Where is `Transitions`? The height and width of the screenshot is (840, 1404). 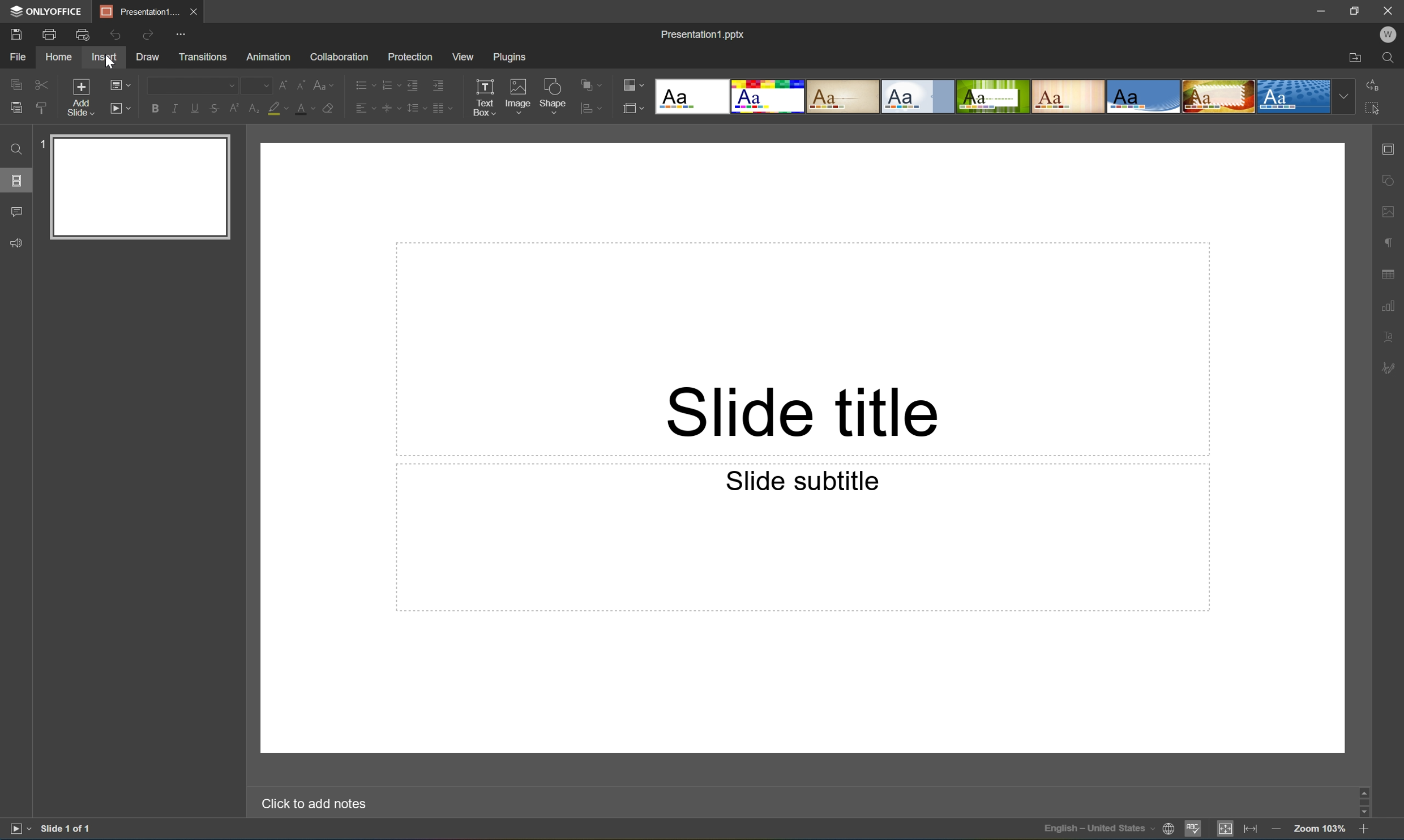 Transitions is located at coordinates (203, 58).